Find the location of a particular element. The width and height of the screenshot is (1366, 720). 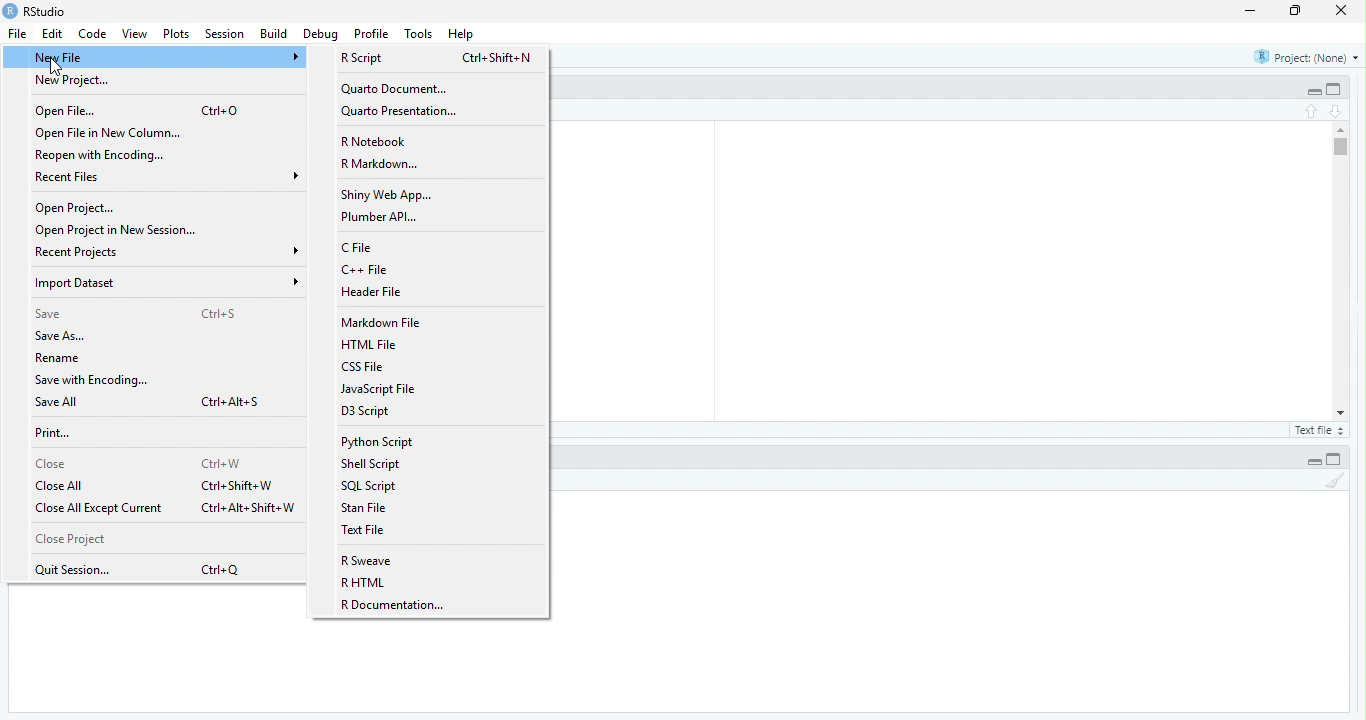

Recent Files is located at coordinates (168, 176).